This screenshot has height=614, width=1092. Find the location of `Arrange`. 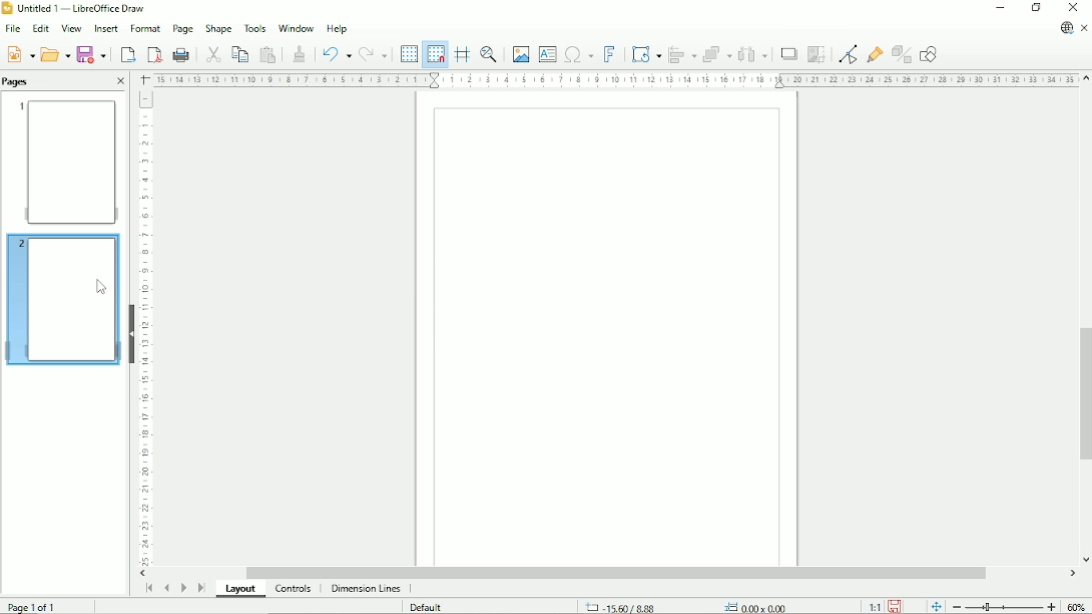

Arrange is located at coordinates (717, 54).